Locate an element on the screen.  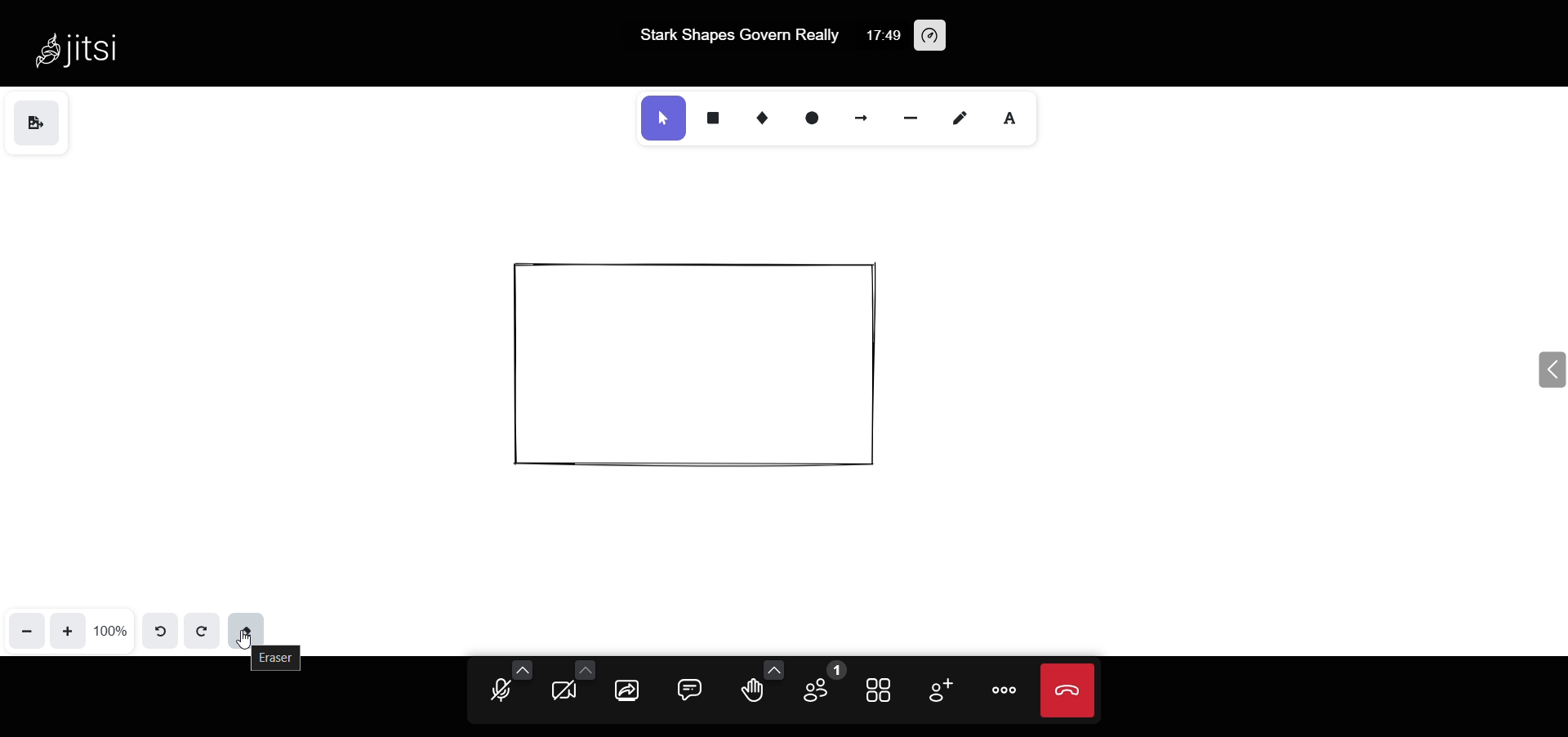
save as image is located at coordinates (35, 123).